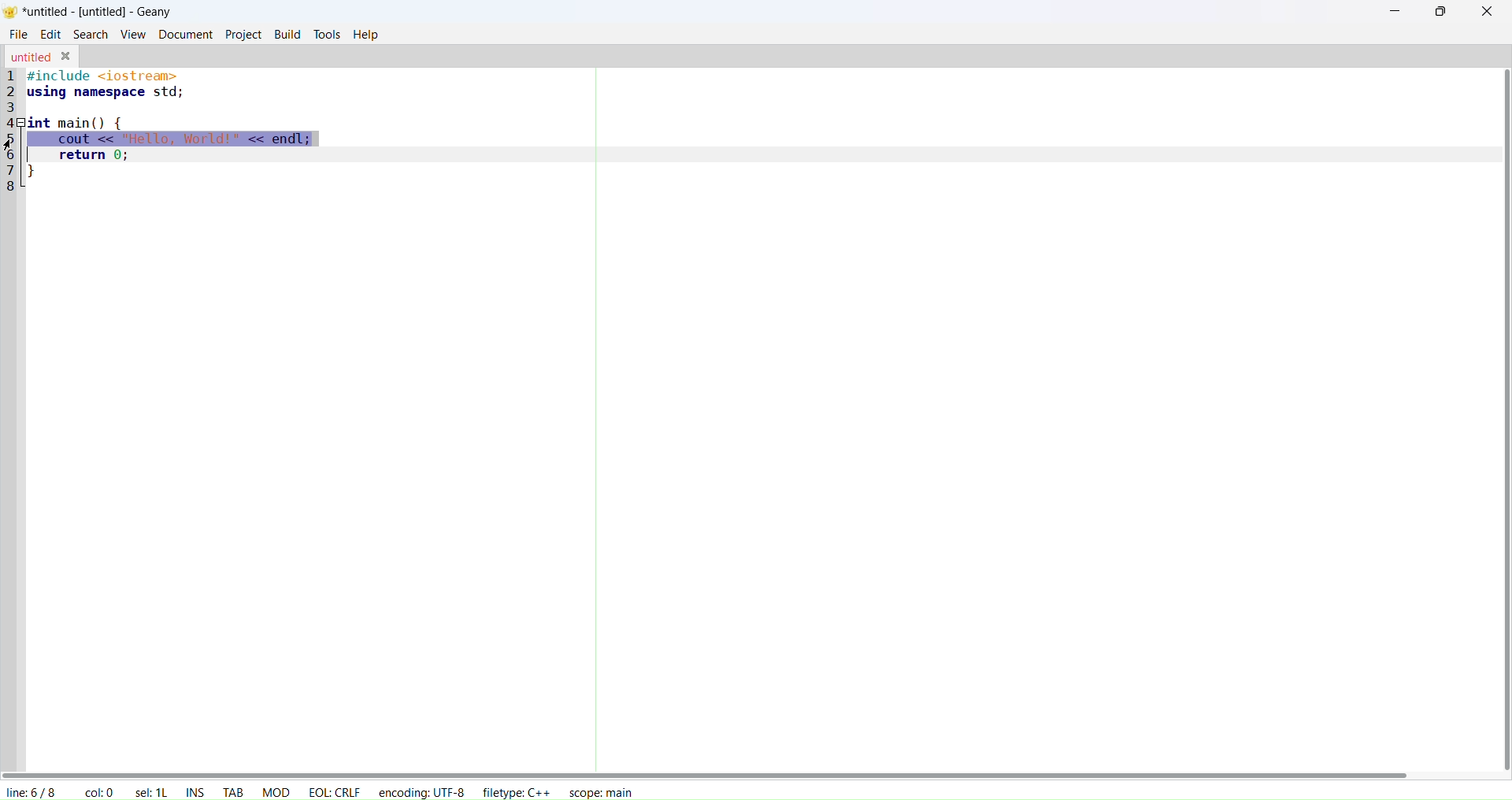 This screenshot has width=1512, height=800. I want to click on cursor, so click(10, 145).